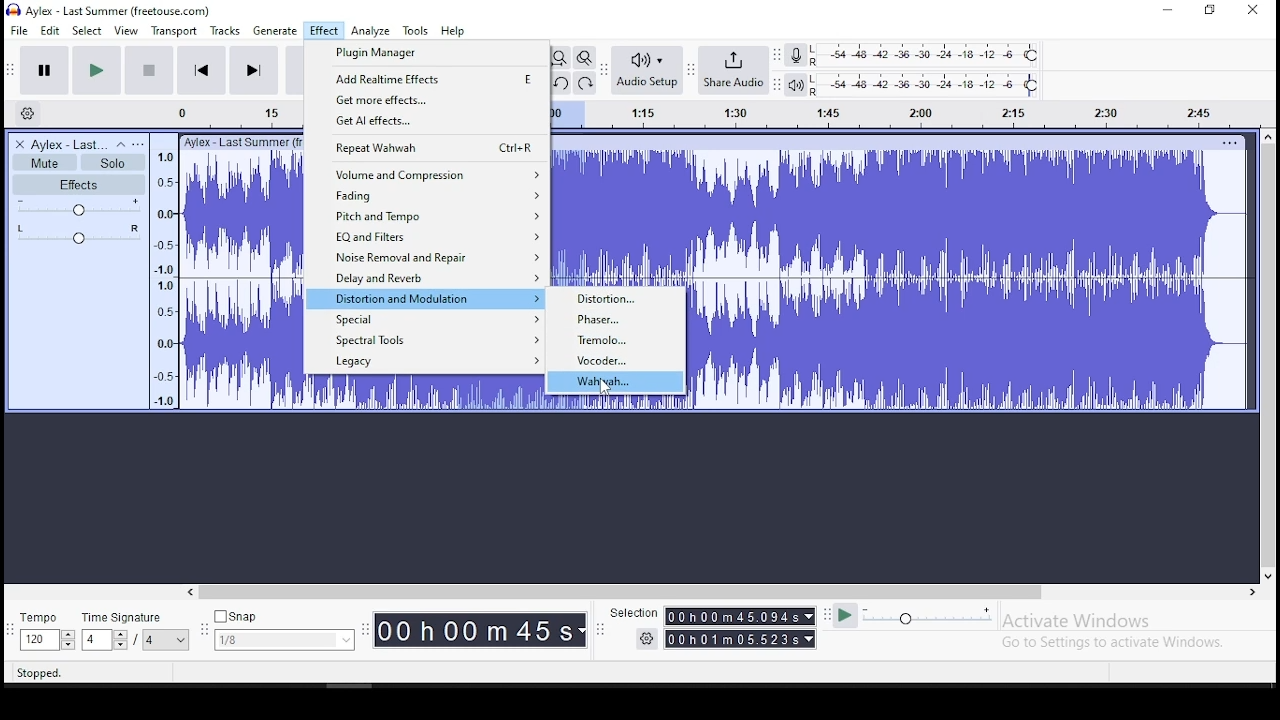  Describe the element at coordinates (425, 216) in the screenshot. I see `pitch and tempo` at that location.